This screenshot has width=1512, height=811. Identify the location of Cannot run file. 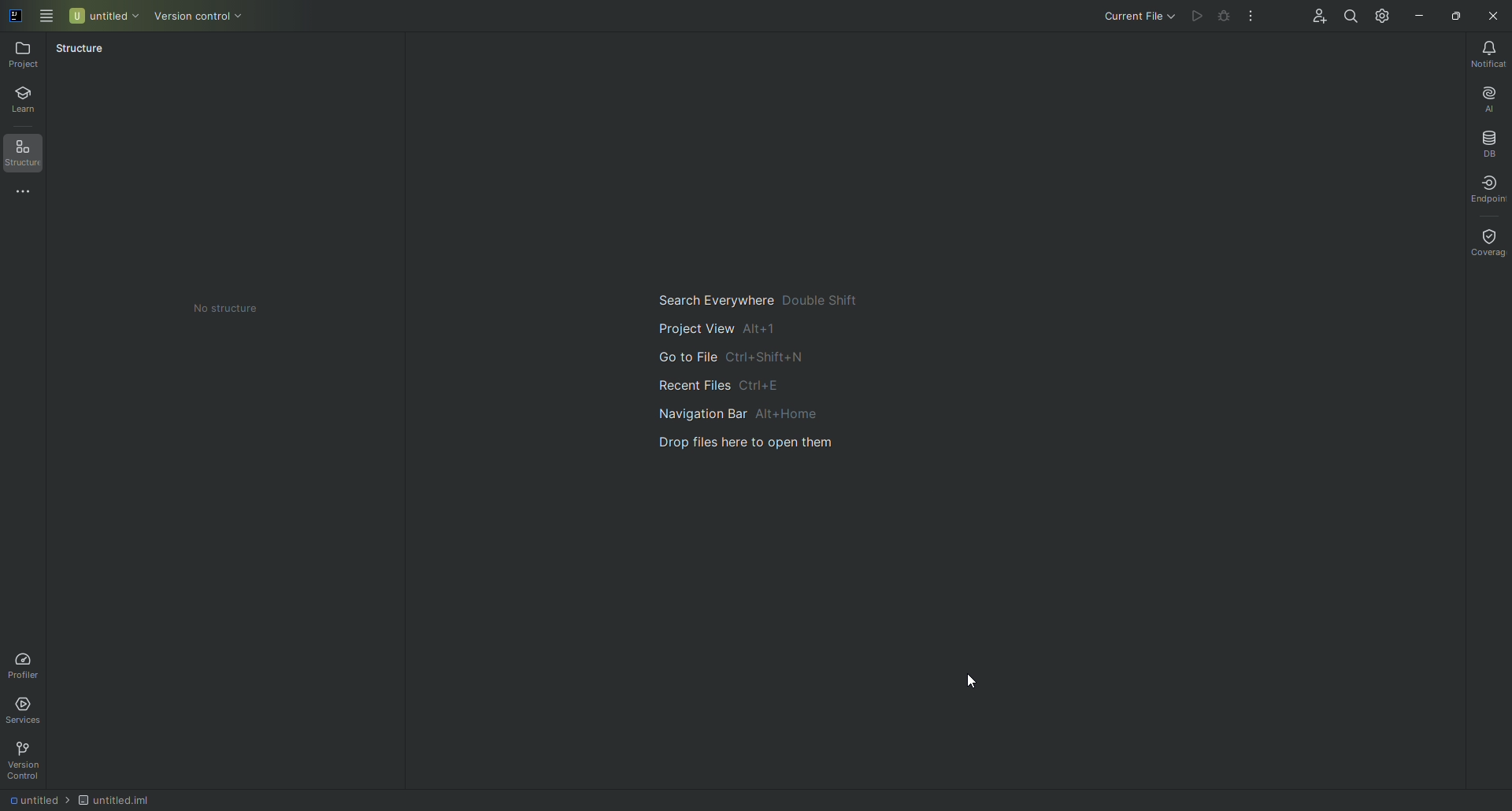
(1226, 13).